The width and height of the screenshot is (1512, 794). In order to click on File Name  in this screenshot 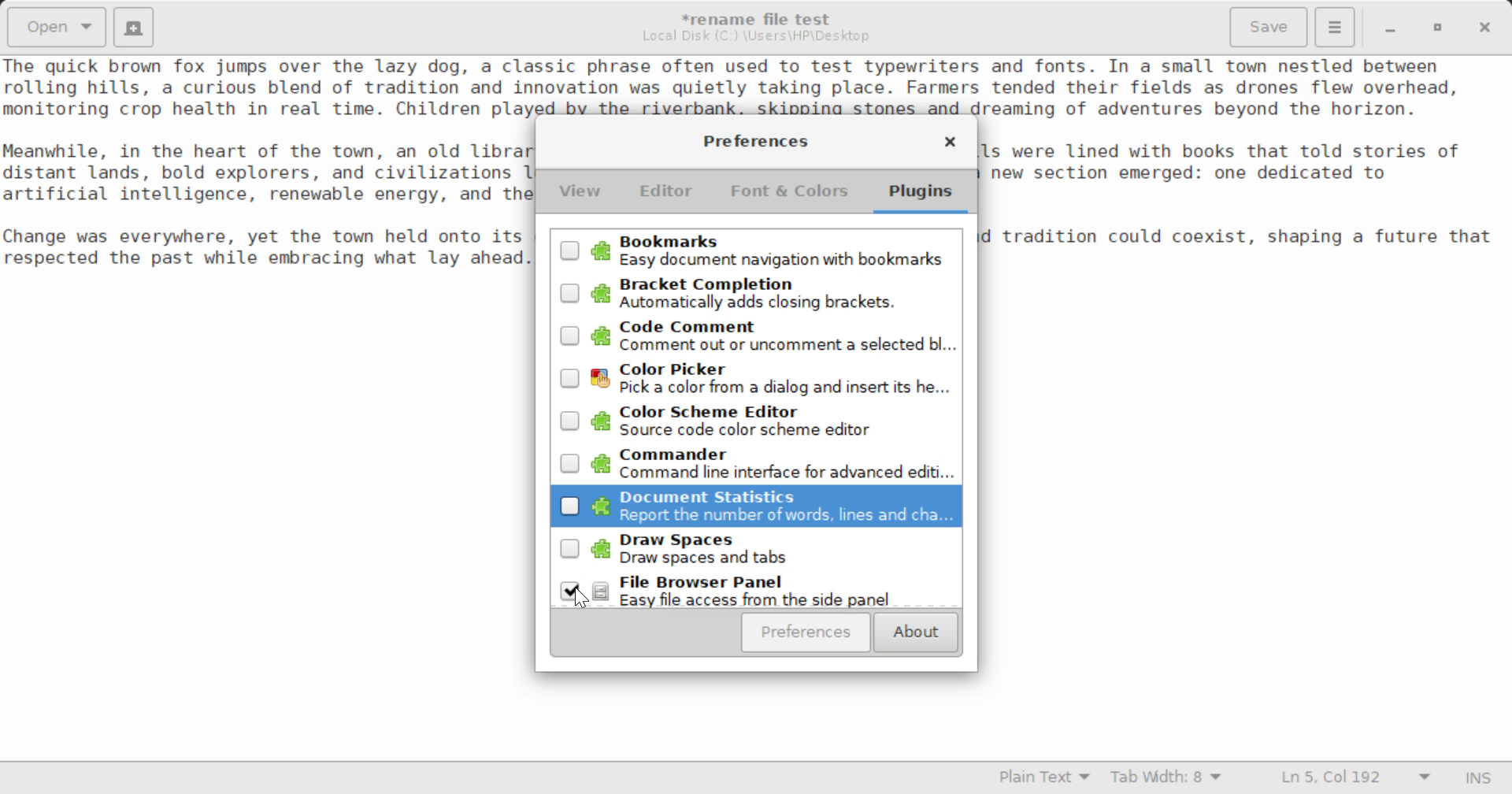, I will do `click(761, 17)`.